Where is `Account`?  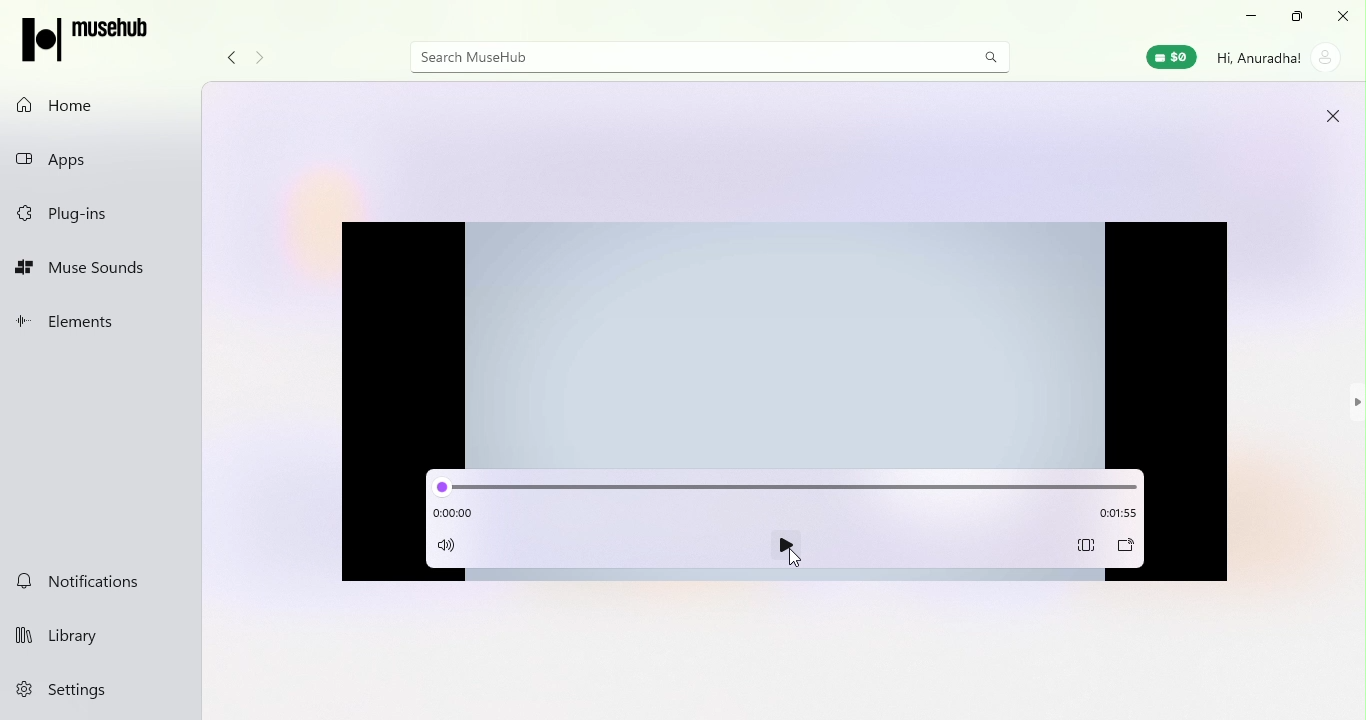 Account is located at coordinates (1275, 60).